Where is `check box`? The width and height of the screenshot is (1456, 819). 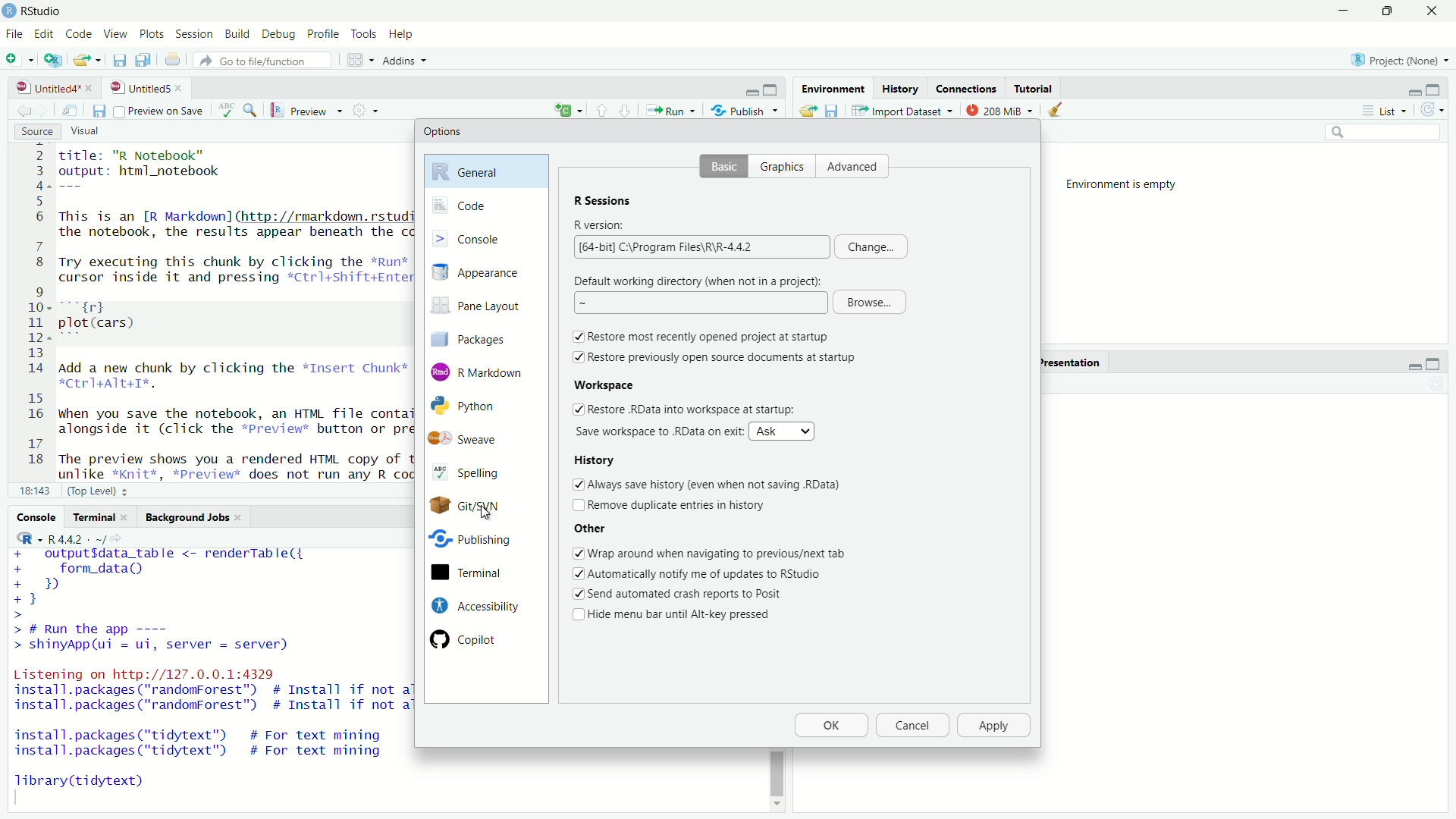
check box is located at coordinates (576, 506).